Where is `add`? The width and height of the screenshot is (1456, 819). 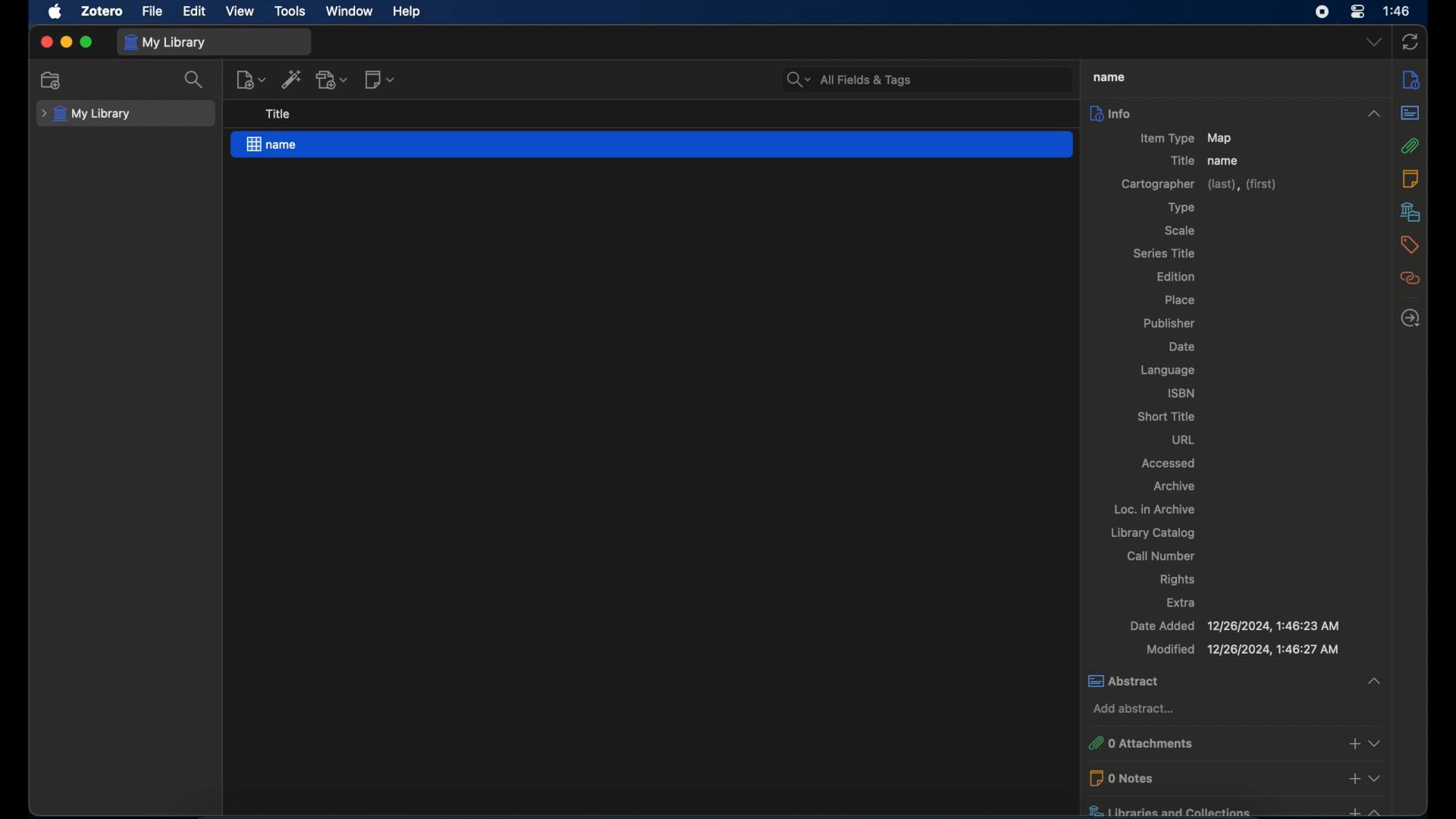
add is located at coordinates (1354, 778).